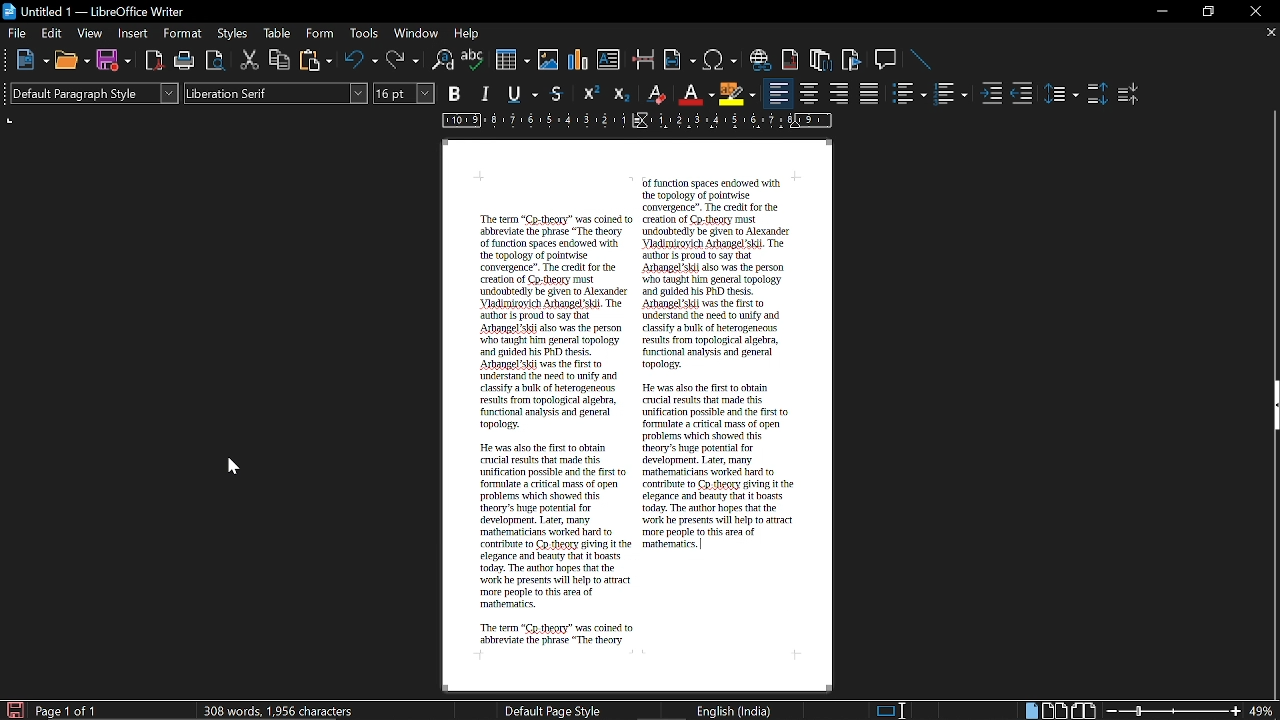 This screenshot has width=1280, height=720. What do you see at coordinates (888, 60) in the screenshot?
I see `Insert comment` at bounding box center [888, 60].